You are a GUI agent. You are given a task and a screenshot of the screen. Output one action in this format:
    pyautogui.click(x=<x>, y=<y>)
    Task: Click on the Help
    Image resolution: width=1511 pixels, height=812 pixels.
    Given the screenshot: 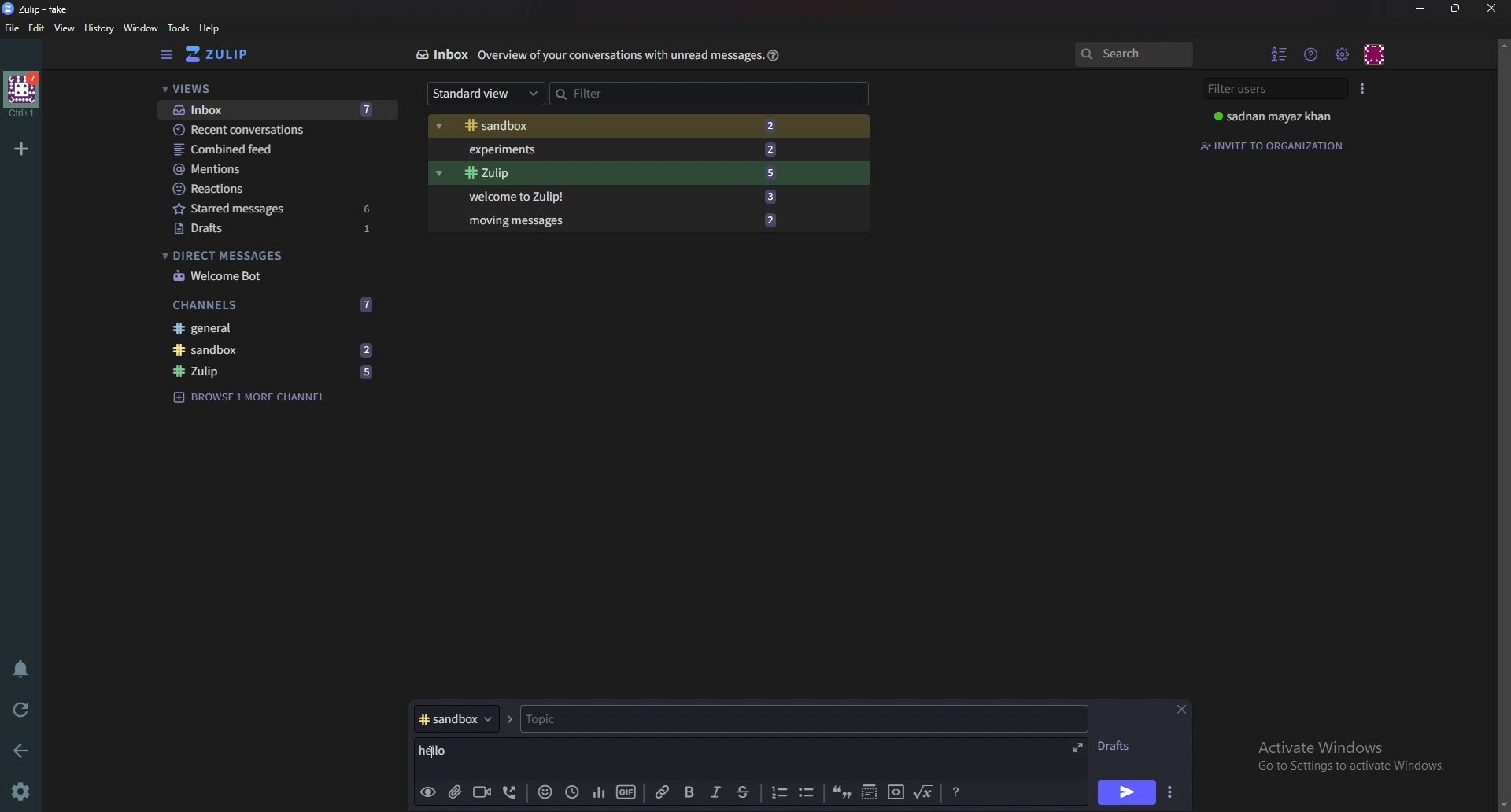 What is the action you would take?
    pyautogui.click(x=775, y=54)
    